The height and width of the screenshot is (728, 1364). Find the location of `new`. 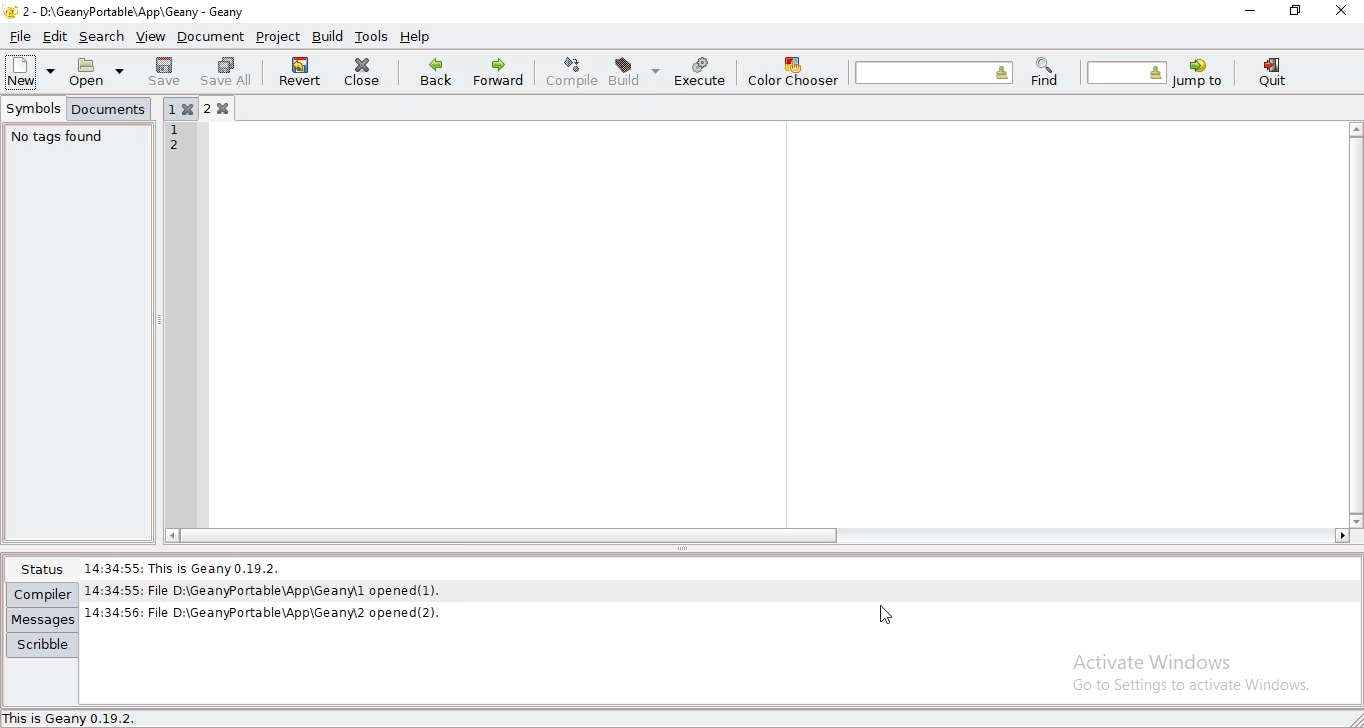

new is located at coordinates (24, 70).